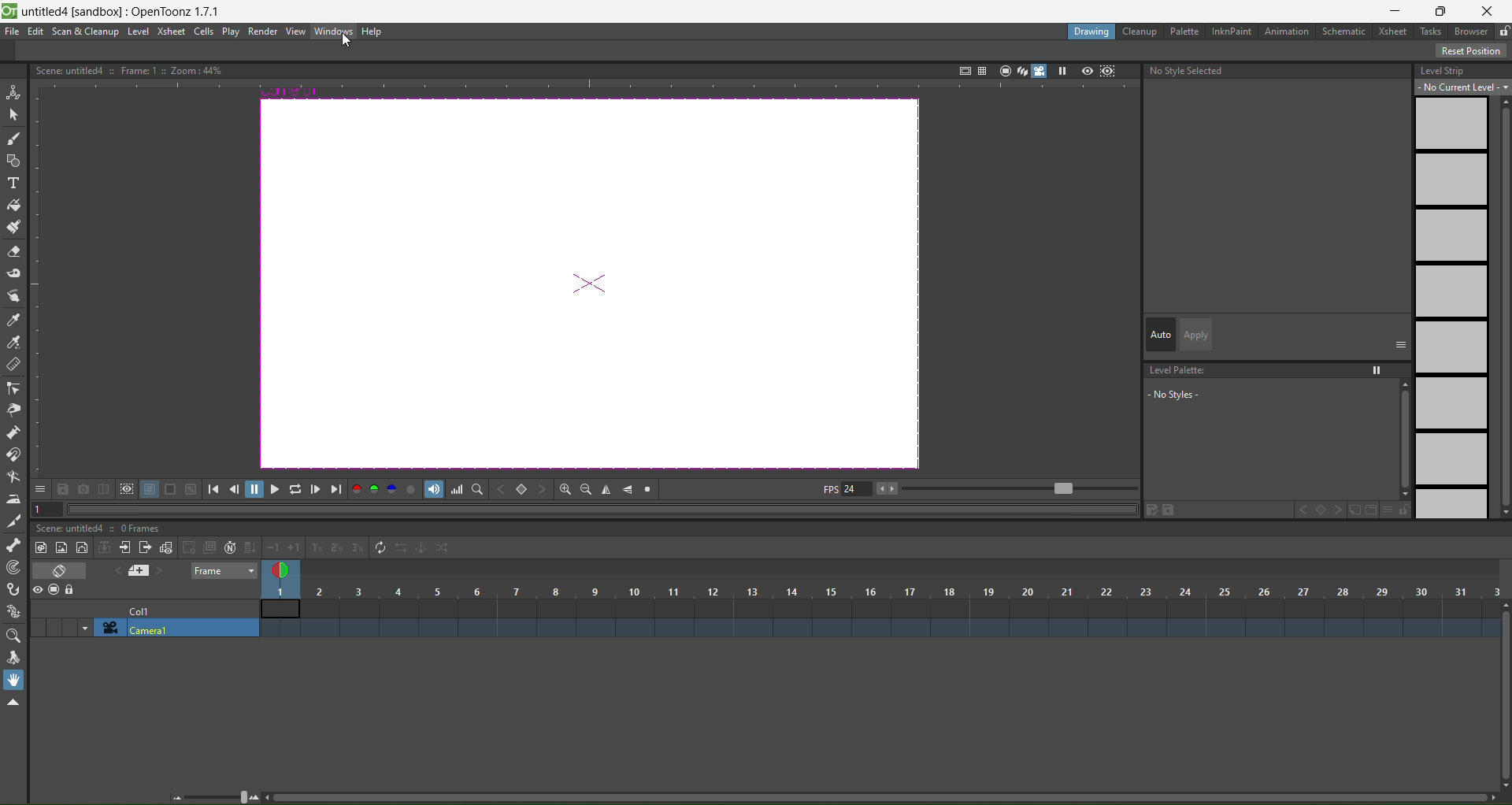  What do you see at coordinates (1395, 32) in the screenshot?
I see `xsheet` at bounding box center [1395, 32].